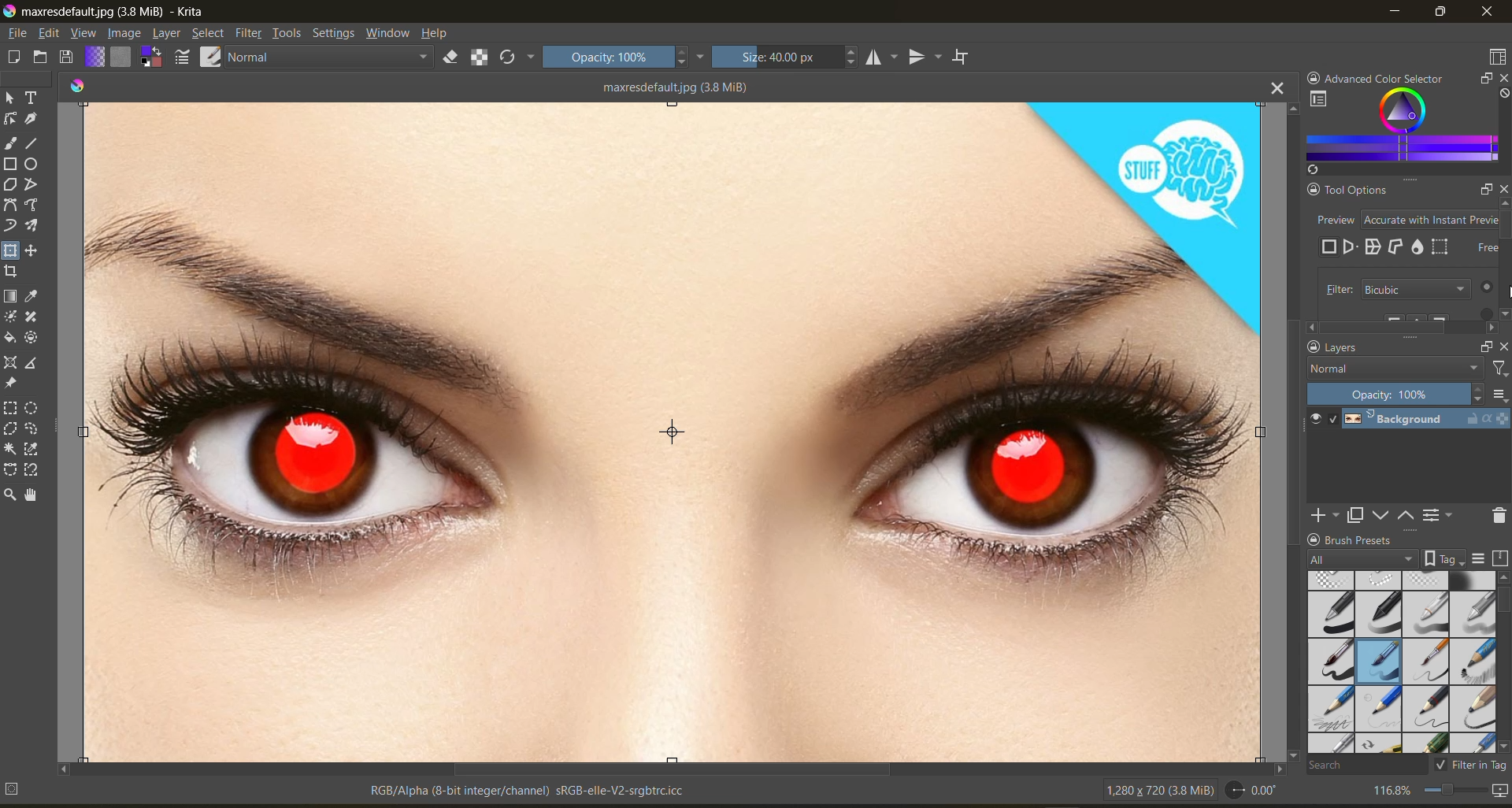  Describe the element at coordinates (1396, 14) in the screenshot. I see `minimize` at that location.